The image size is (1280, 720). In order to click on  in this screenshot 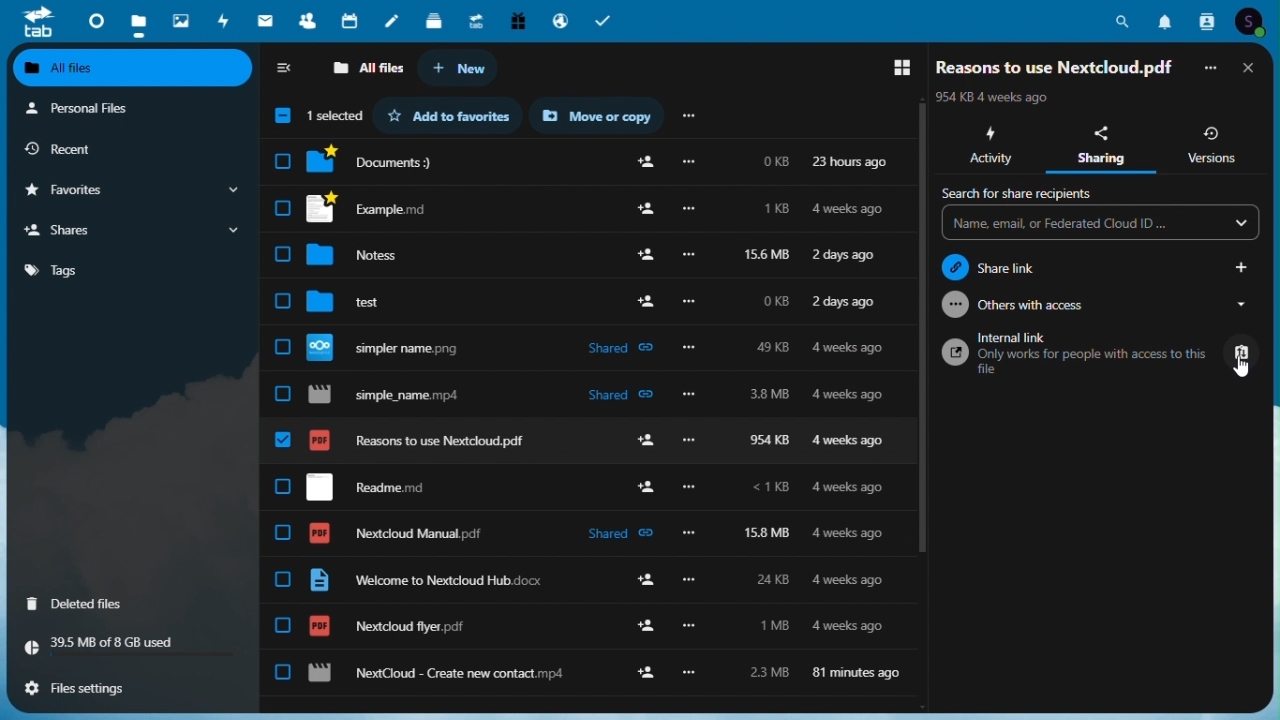, I will do `click(281, 208)`.